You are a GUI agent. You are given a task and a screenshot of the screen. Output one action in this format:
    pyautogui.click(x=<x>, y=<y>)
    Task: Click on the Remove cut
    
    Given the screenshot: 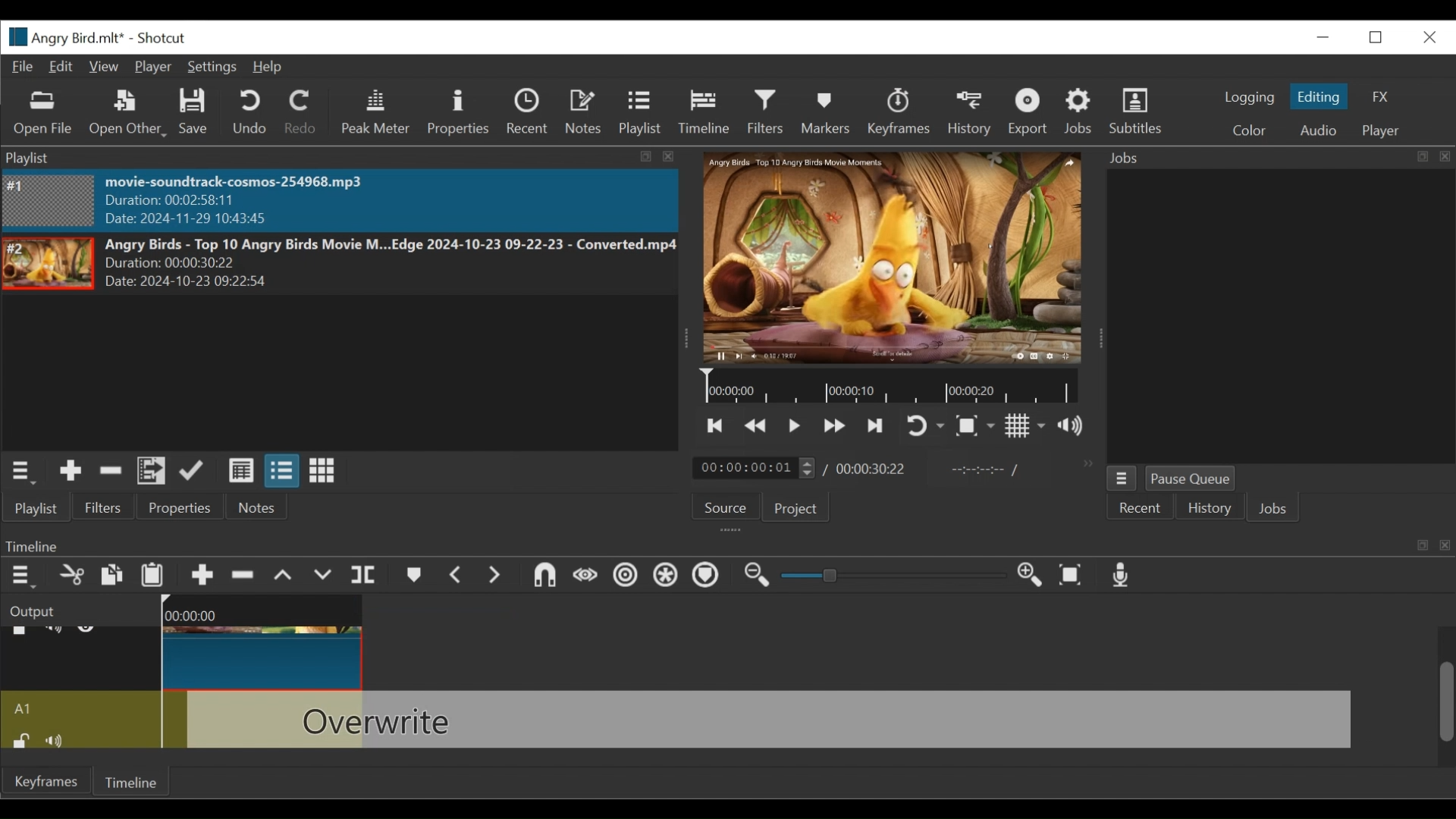 What is the action you would take?
    pyautogui.click(x=111, y=472)
    